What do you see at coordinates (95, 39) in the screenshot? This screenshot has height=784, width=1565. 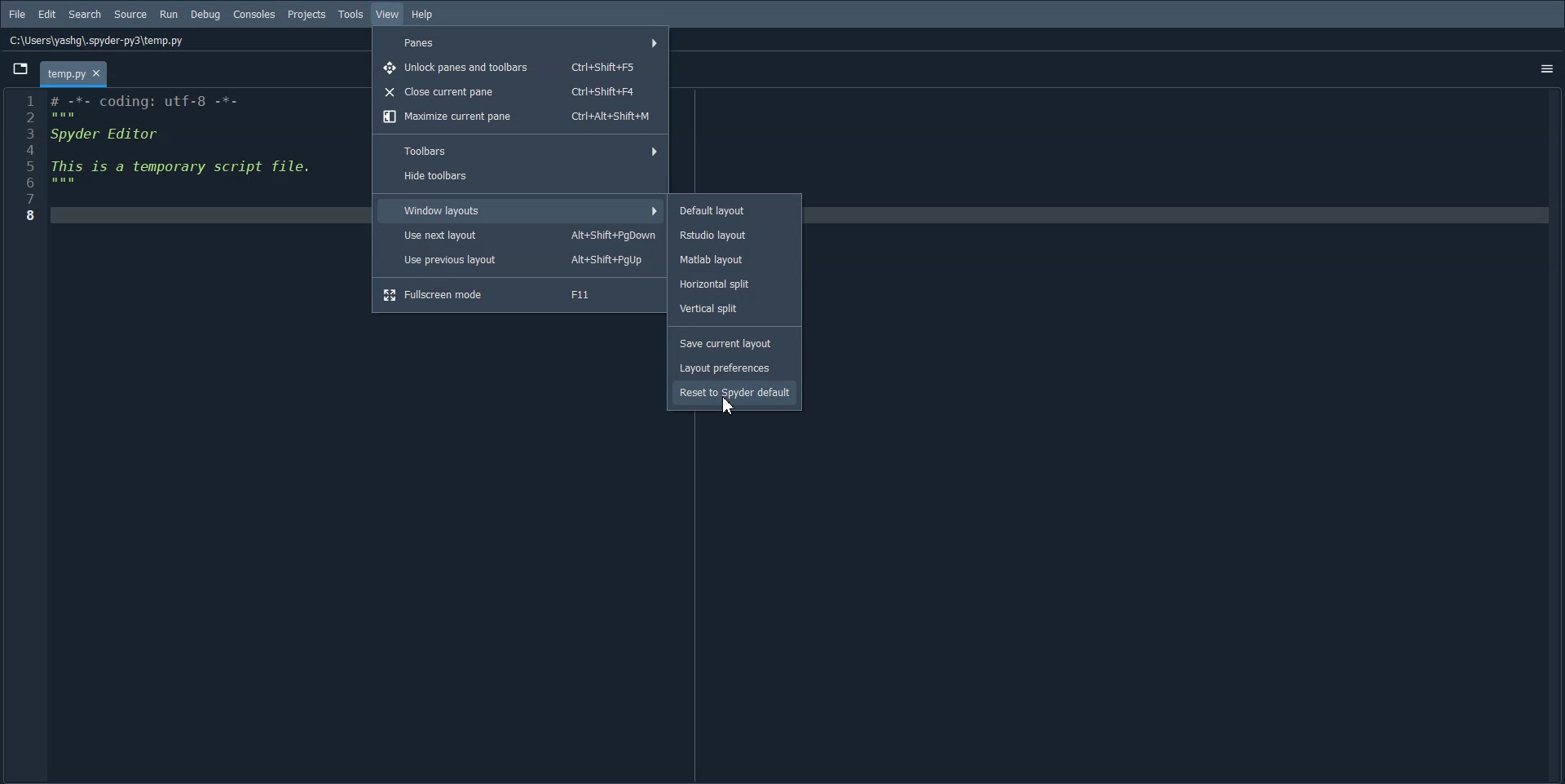 I see `C:\Users\yashg\.spyder-py3\temp.py` at bounding box center [95, 39].